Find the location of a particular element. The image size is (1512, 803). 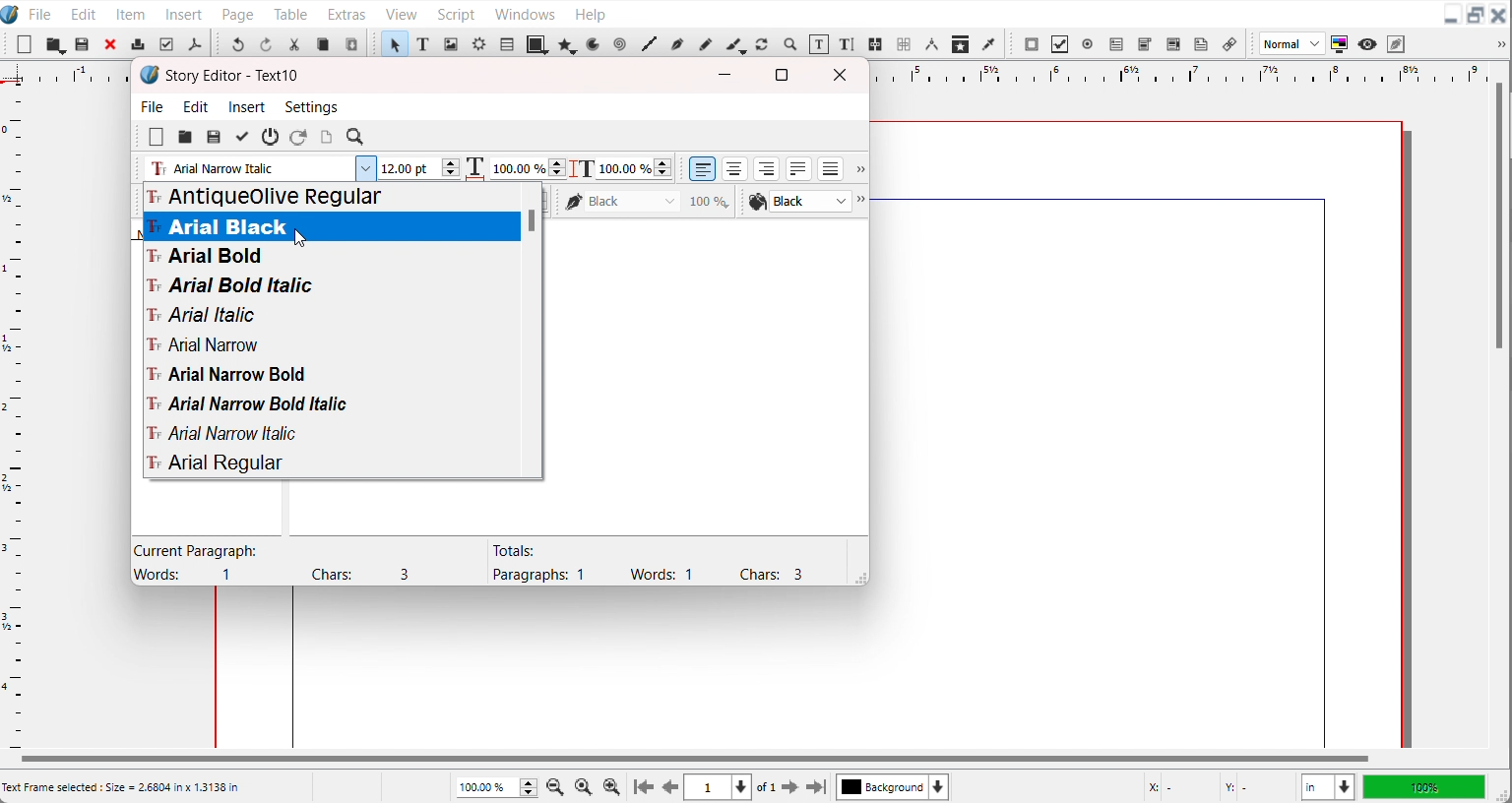

File is located at coordinates (40, 13).